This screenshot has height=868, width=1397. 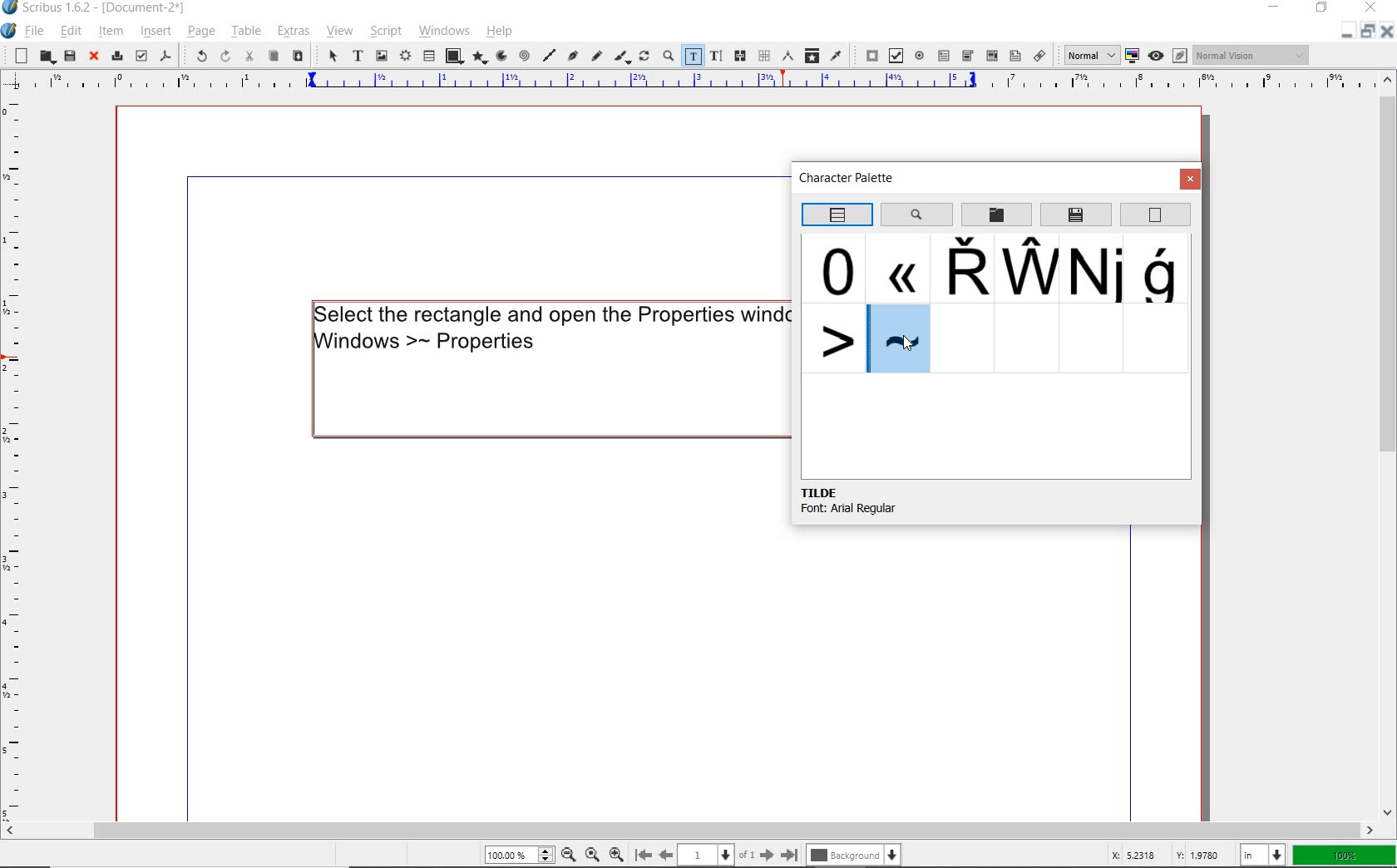 I want to click on glyphs, so click(x=1028, y=268).